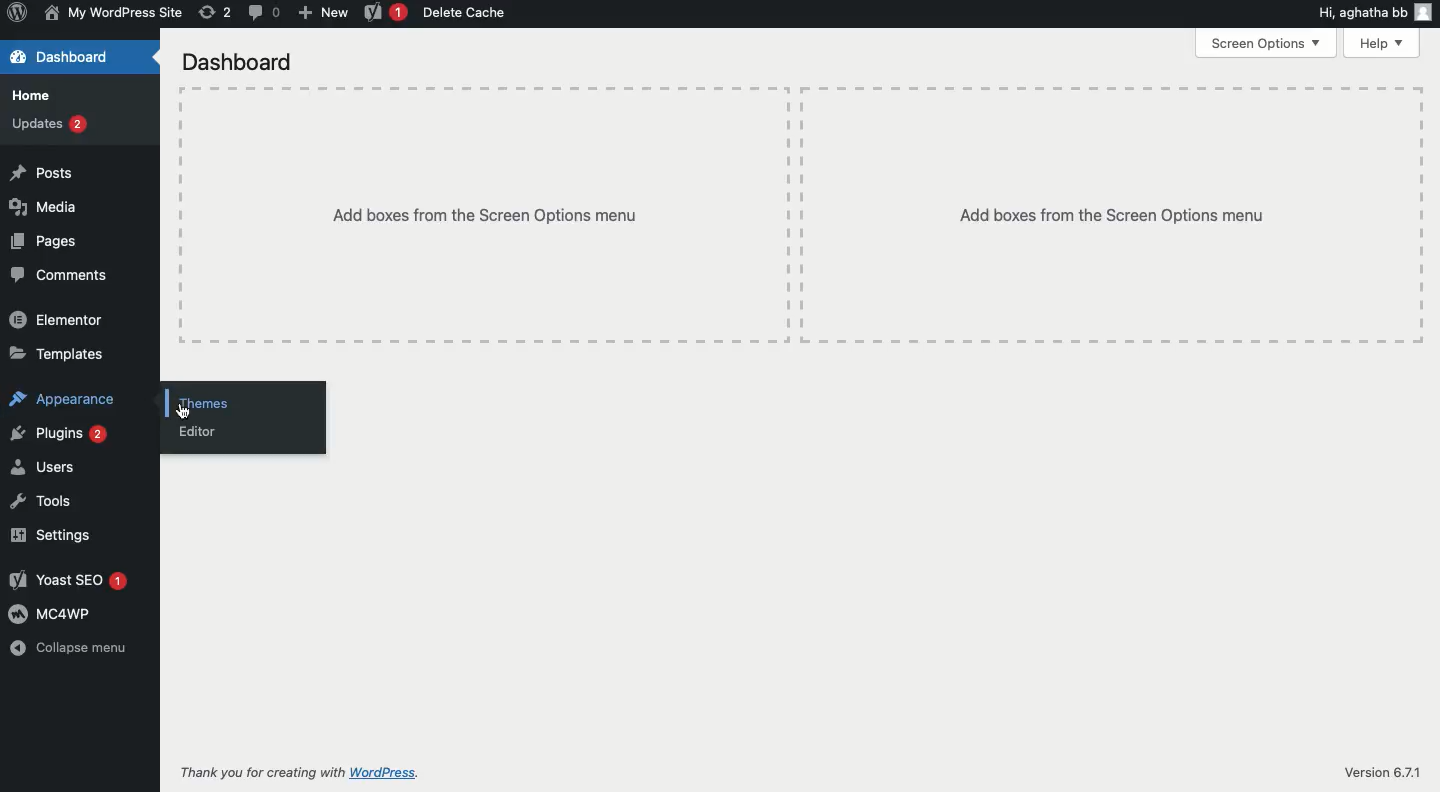  Describe the element at coordinates (265, 12) in the screenshot. I see `Comment` at that location.